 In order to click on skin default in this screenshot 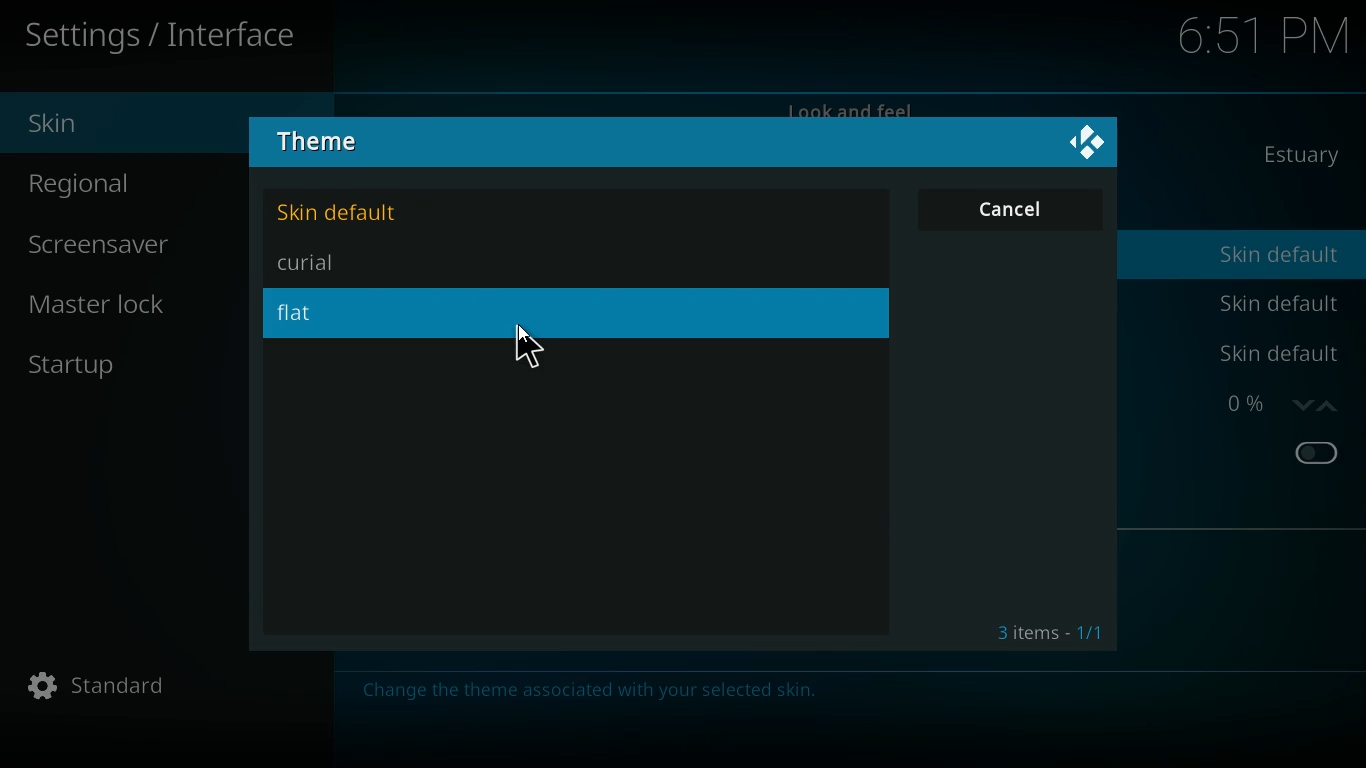, I will do `click(1274, 354)`.